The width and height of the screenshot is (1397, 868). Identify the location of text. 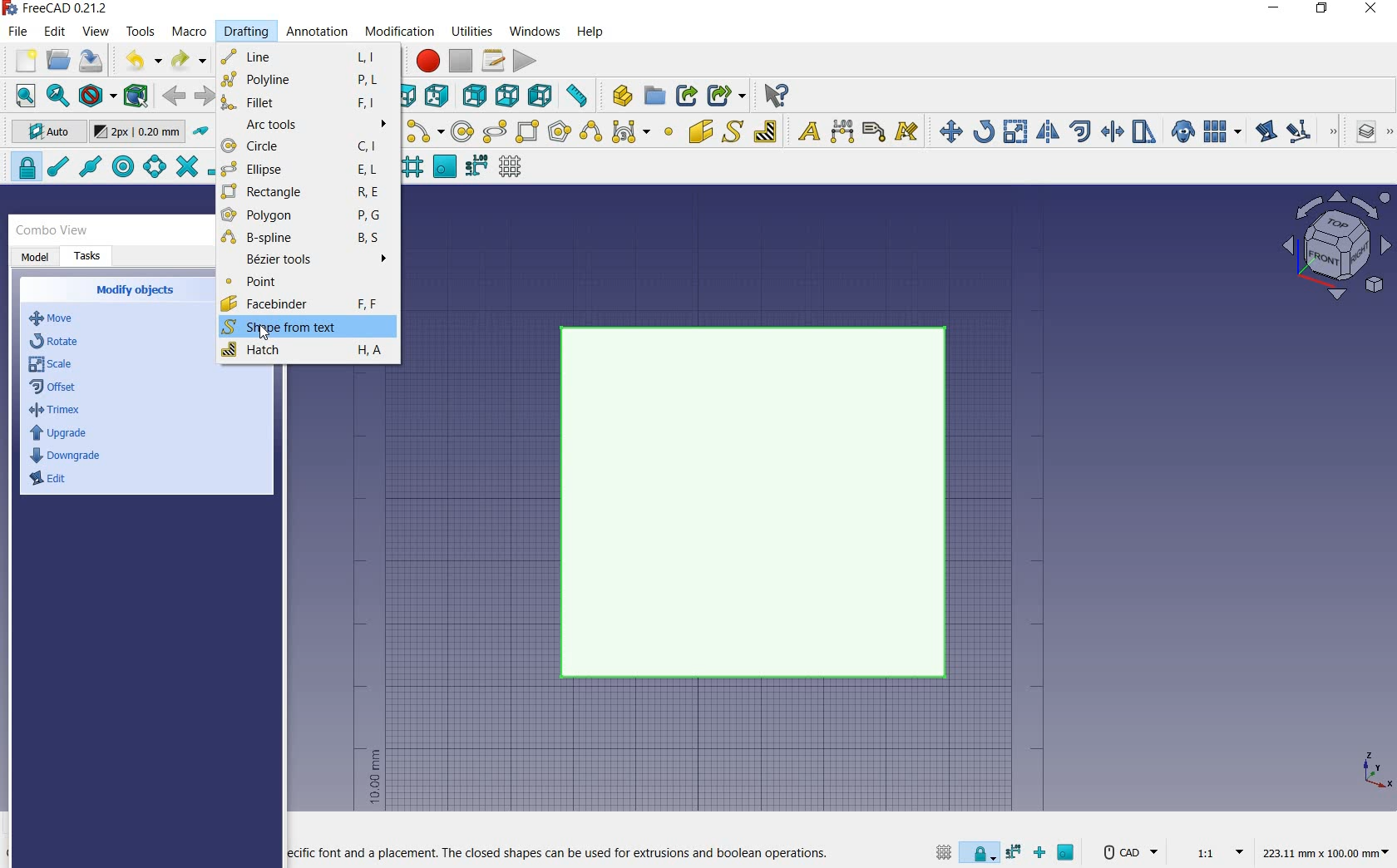
(805, 132).